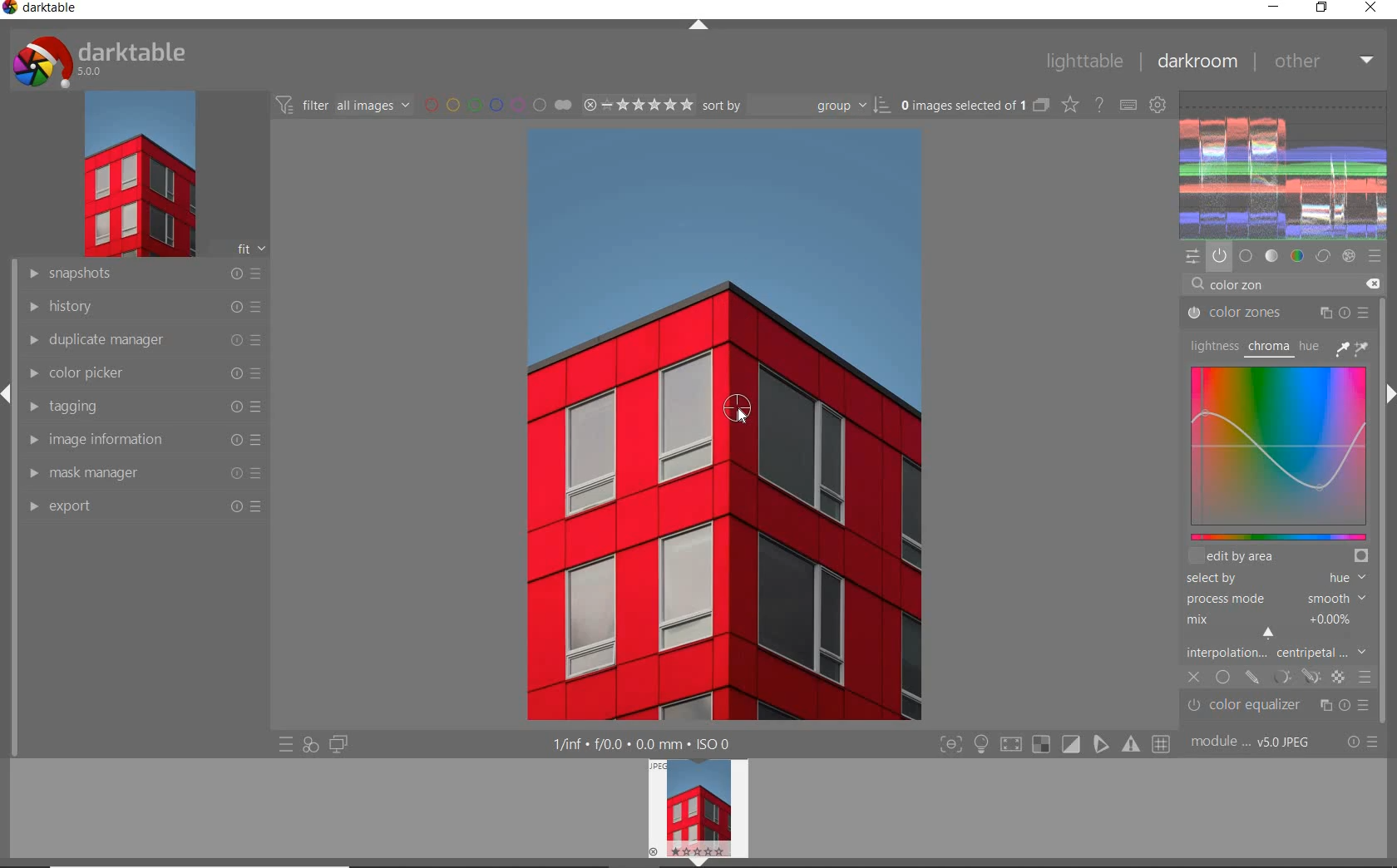 Image resolution: width=1397 pixels, height=868 pixels. What do you see at coordinates (1083, 62) in the screenshot?
I see `lighttable` at bounding box center [1083, 62].